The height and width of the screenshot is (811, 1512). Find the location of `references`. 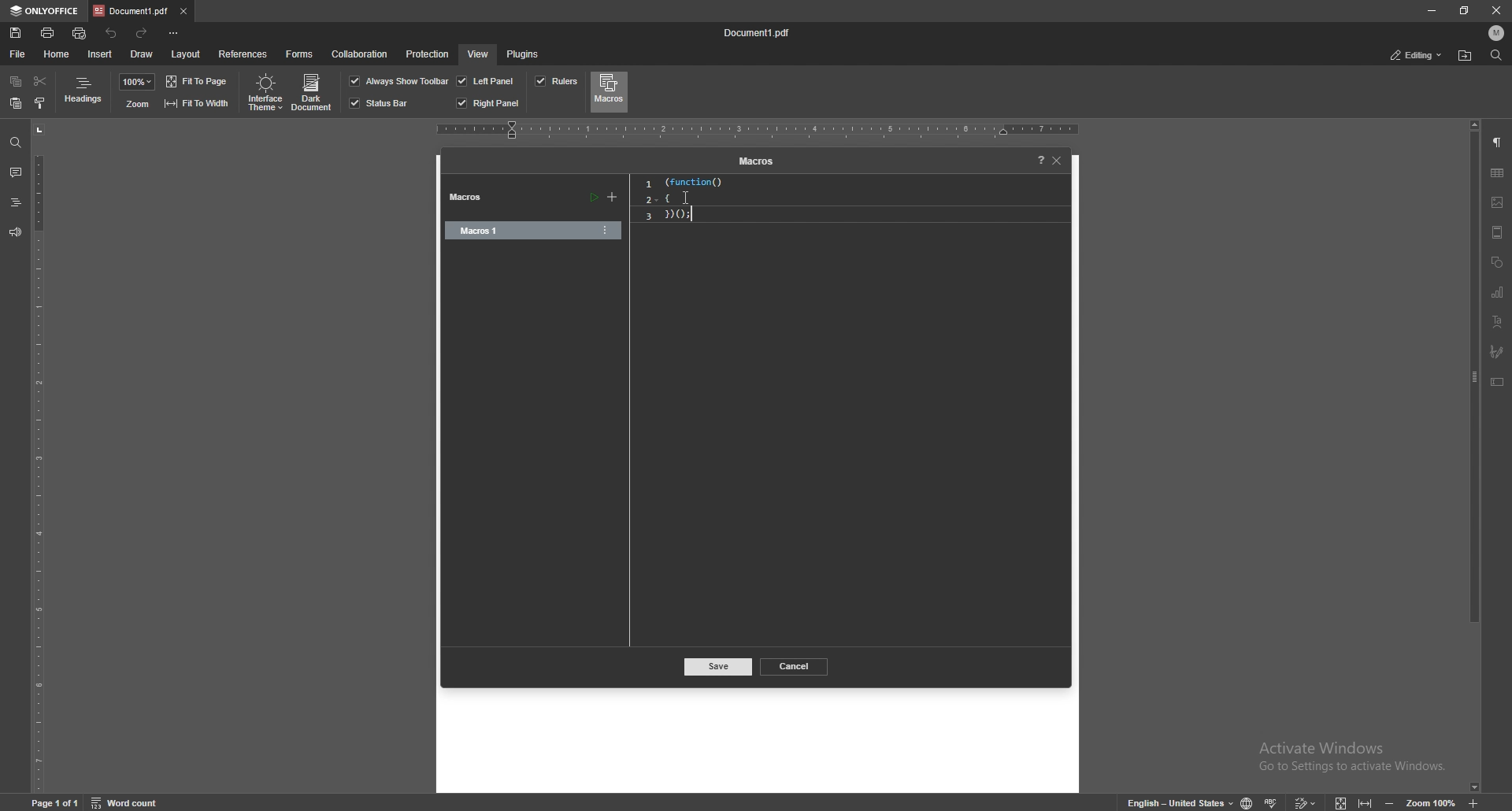

references is located at coordinates (243, 53).